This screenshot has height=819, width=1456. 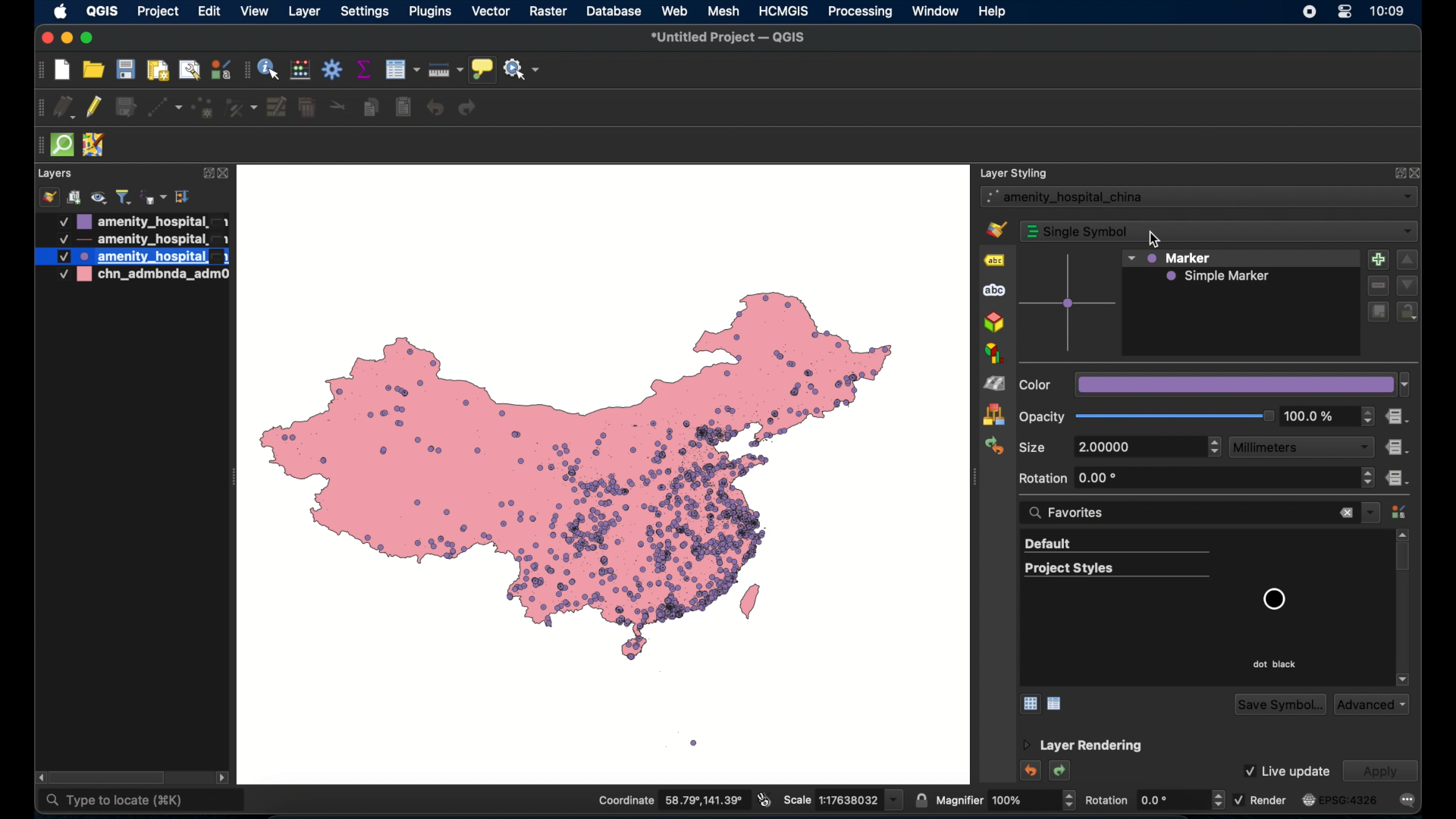 What do you see at coordinates (95, 108) in the screenshot?
I see `toggle editing` at bounding box center [95, 108].